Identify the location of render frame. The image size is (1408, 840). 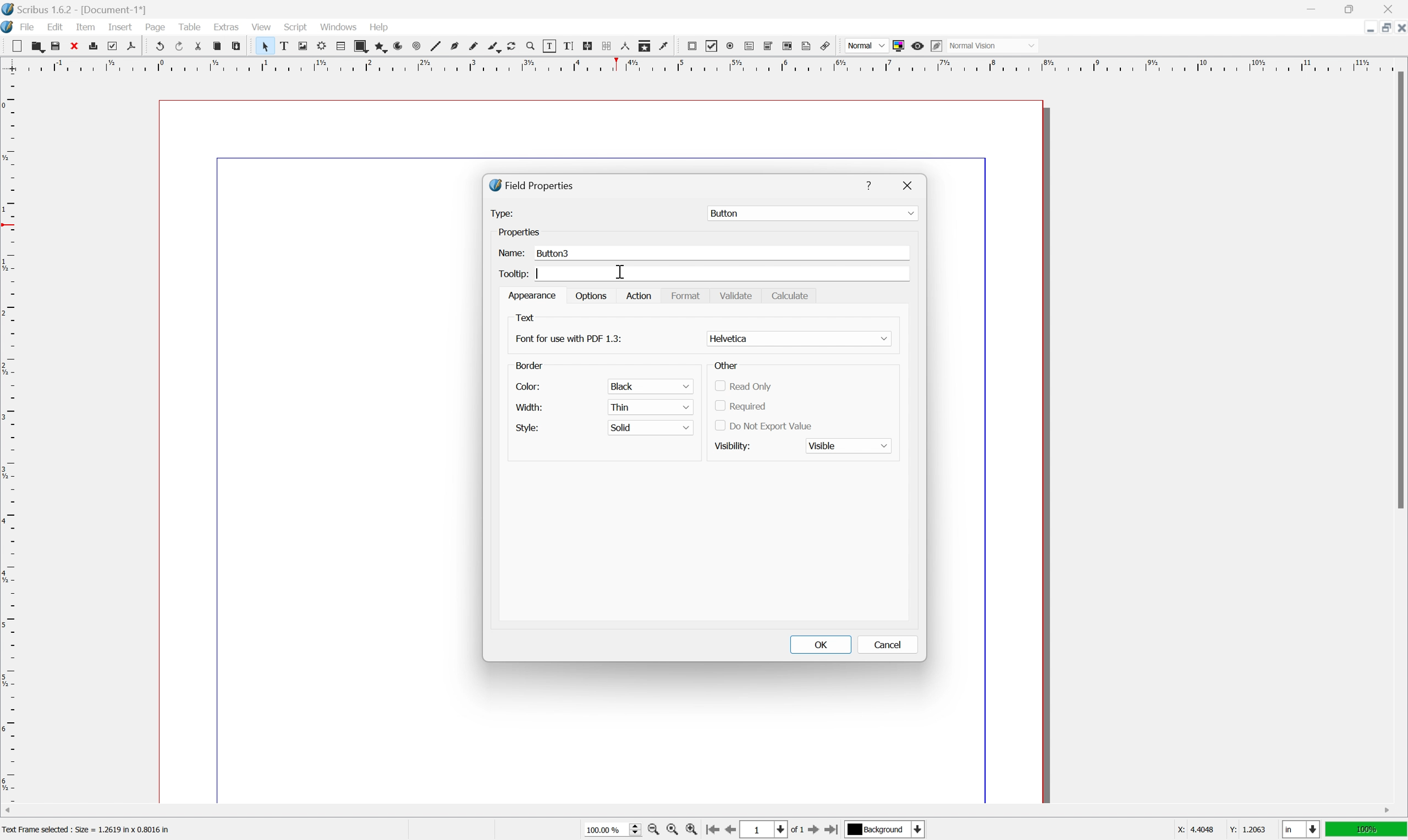
(322, 44).